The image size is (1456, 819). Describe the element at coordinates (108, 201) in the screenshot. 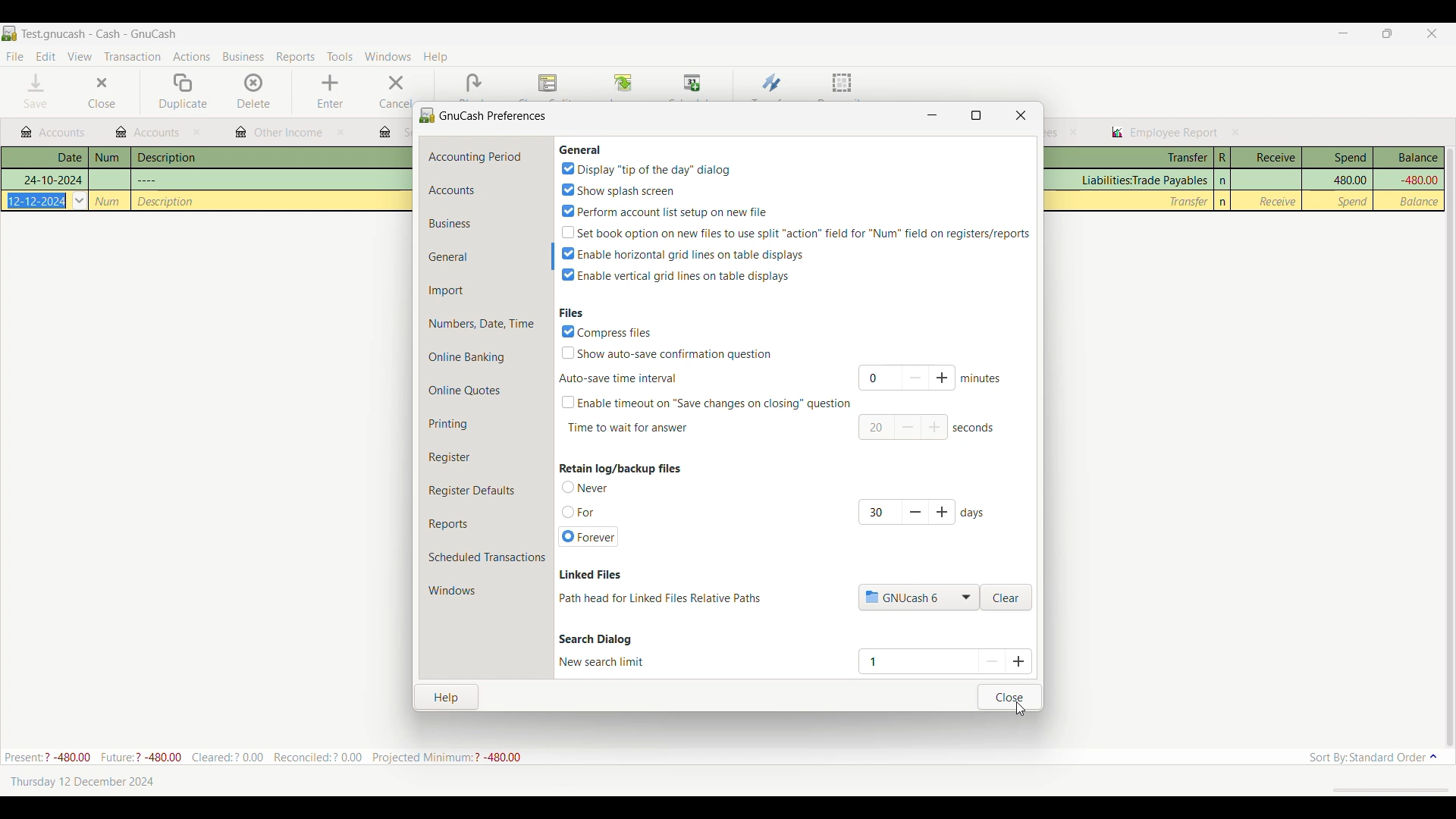

I see `` at that location.